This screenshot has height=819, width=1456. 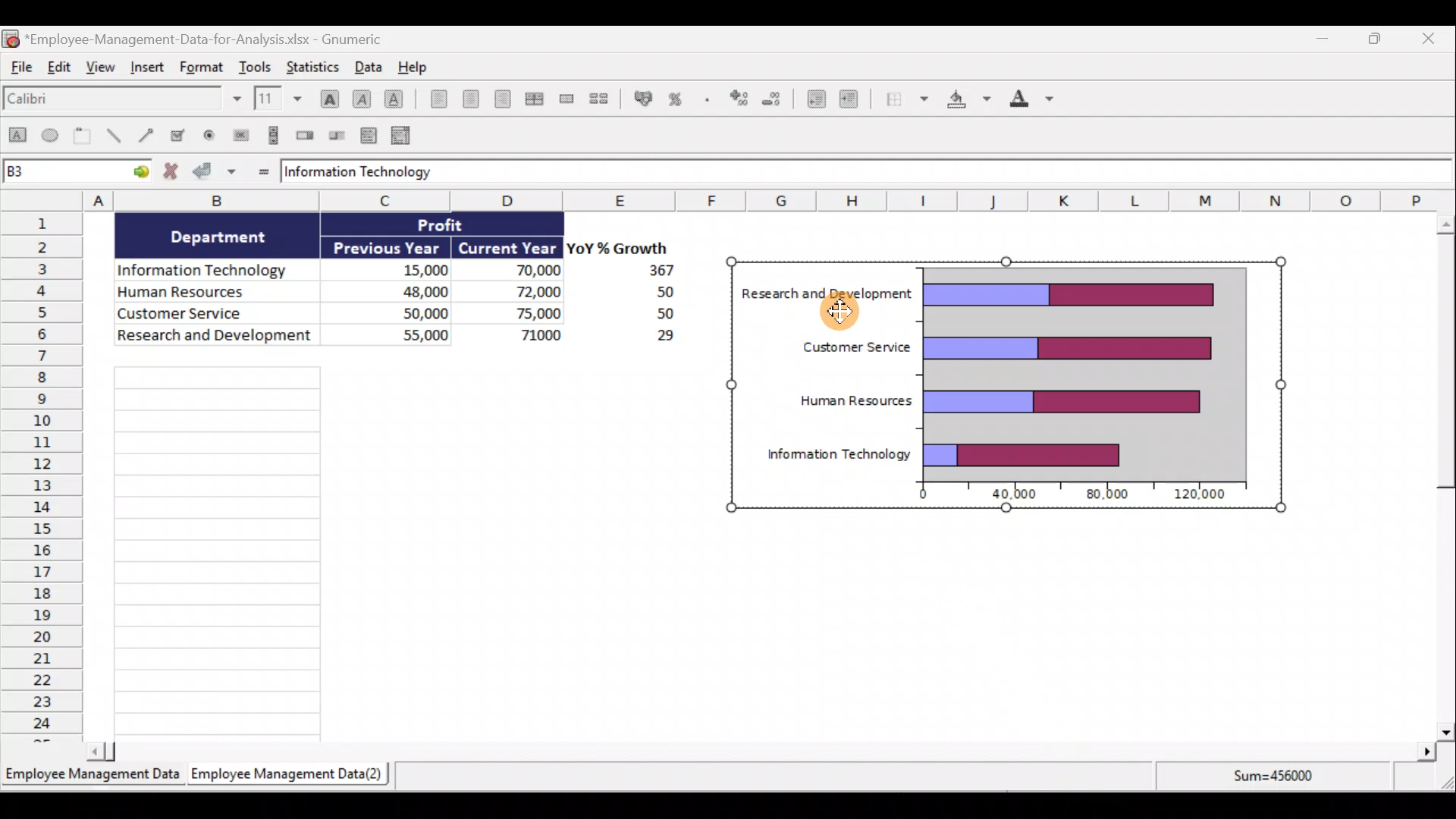 What do you see at coordinates (256, 64) in the screenshot?
I see `Tools` at bounding box center [256, 64].